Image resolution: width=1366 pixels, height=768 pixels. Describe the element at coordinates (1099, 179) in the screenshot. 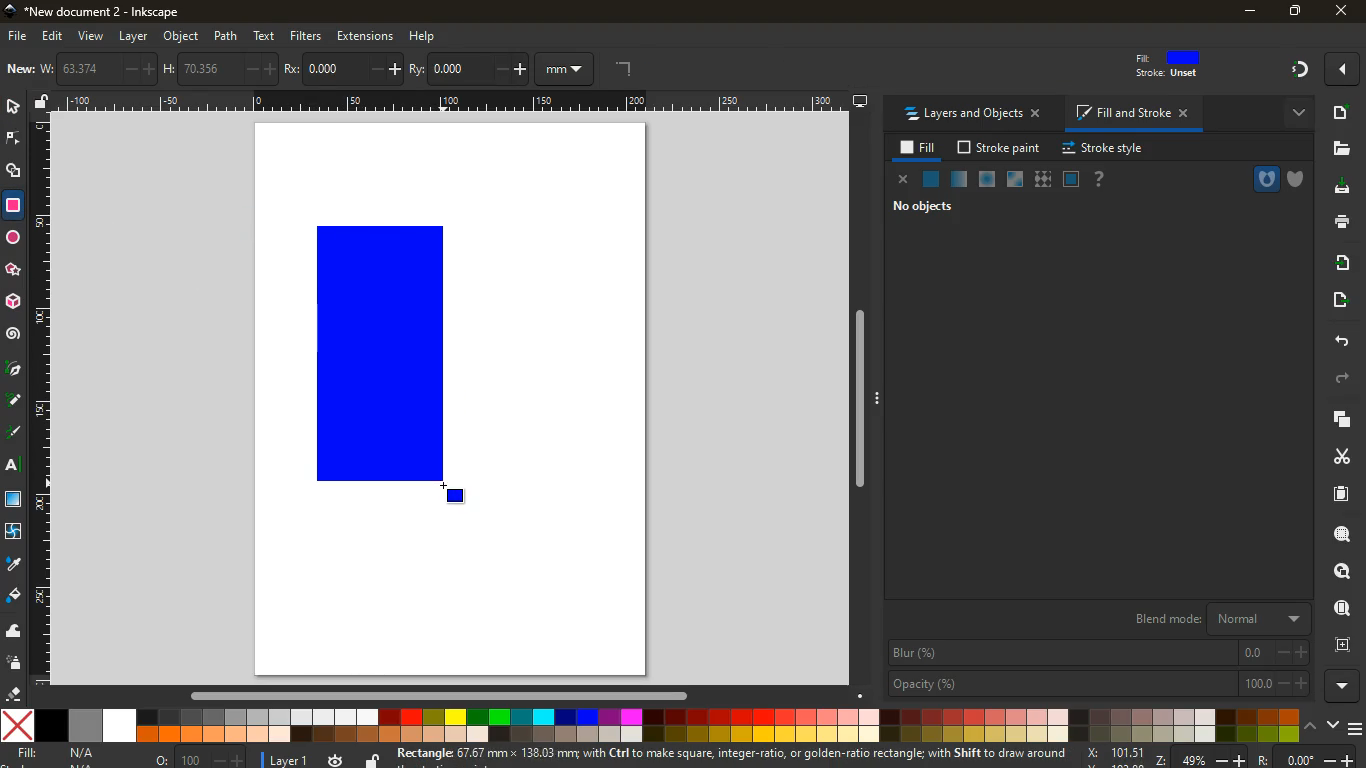

I see `help` at that location.